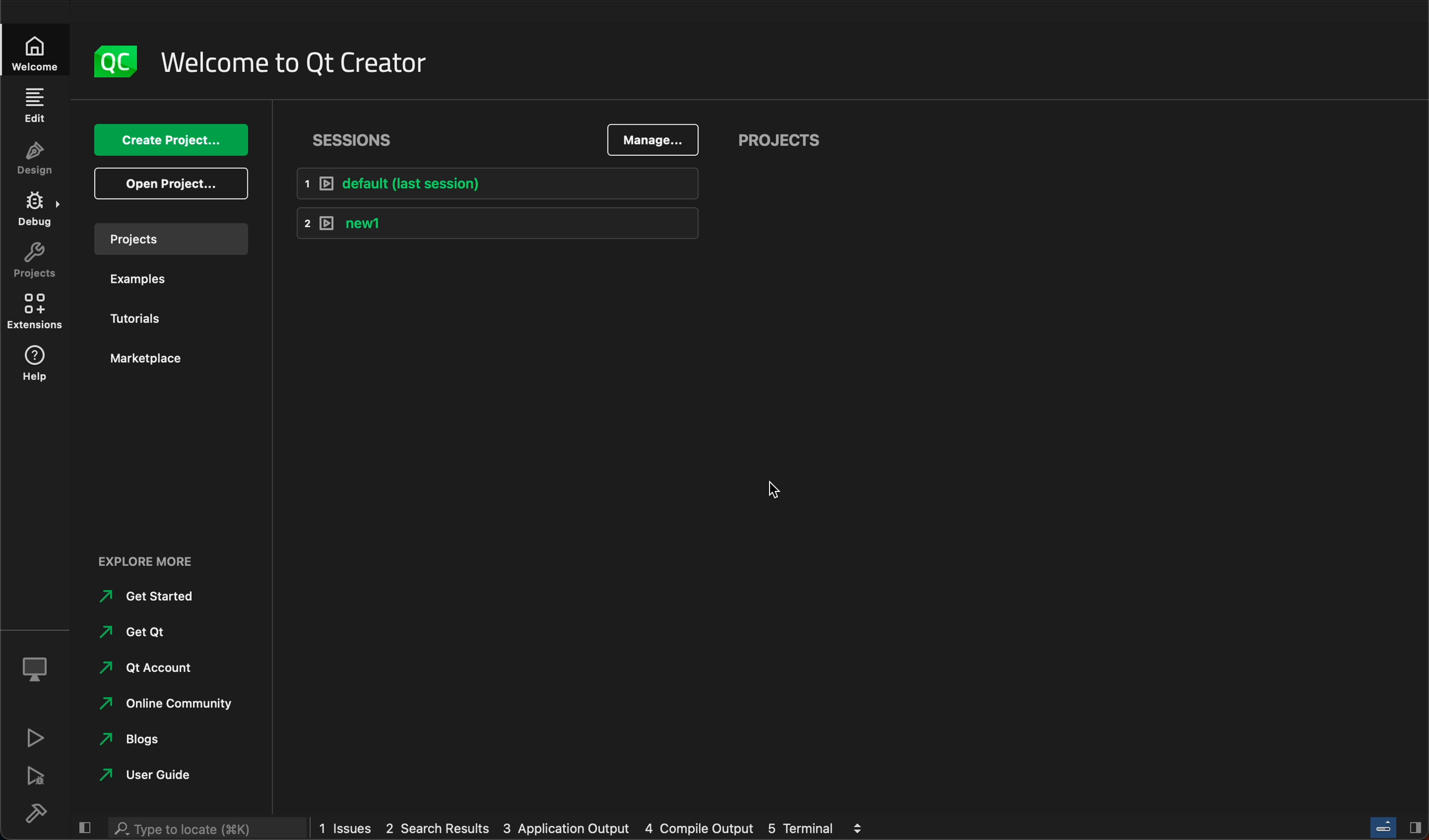  What do you see at coordinates (157, 776) in the screenshot?
I see `user guide` at bounding box center [157, 776].